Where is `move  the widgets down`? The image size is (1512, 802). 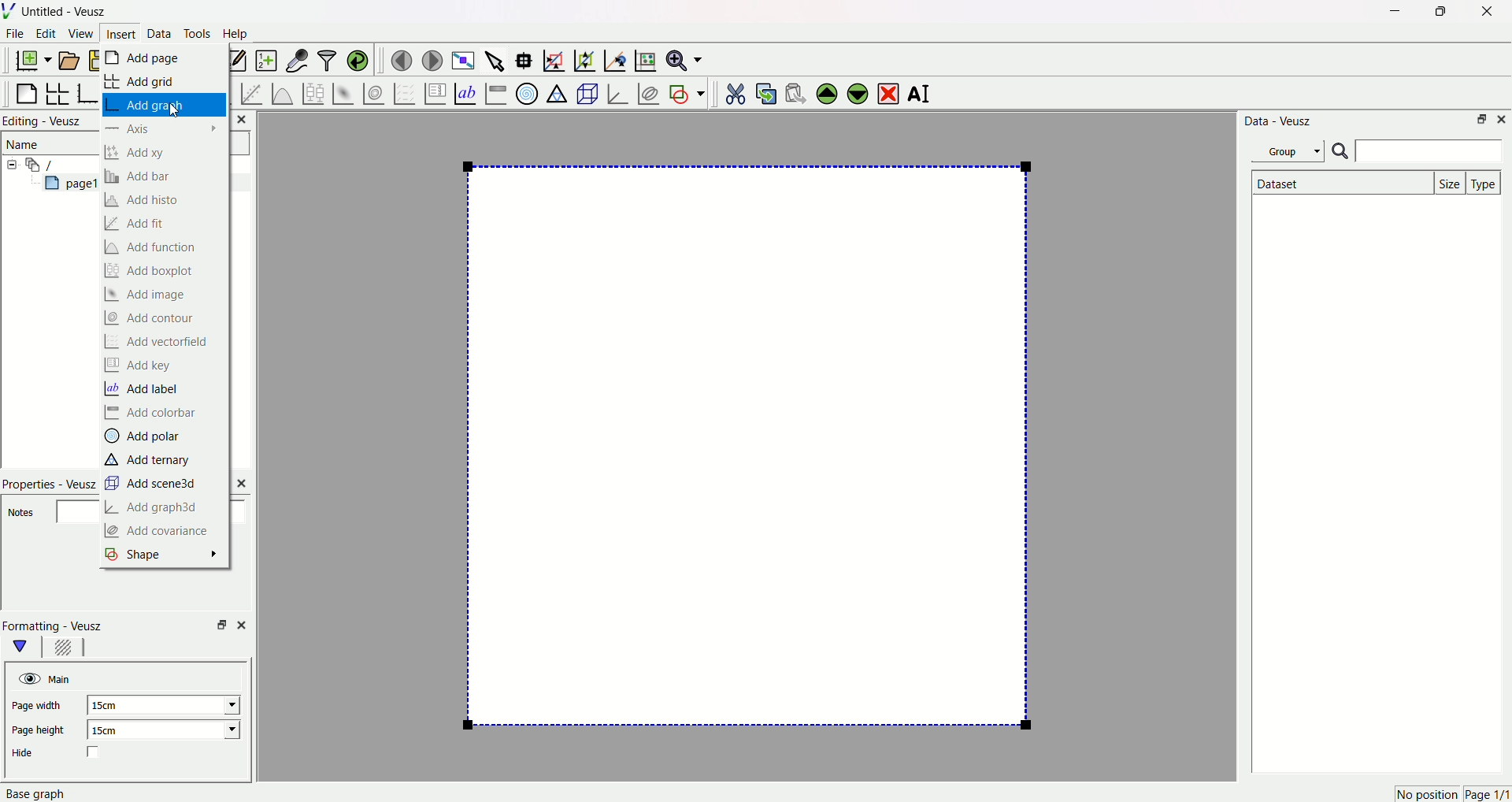
move  the widgets down is located at coordinates (855, 93).